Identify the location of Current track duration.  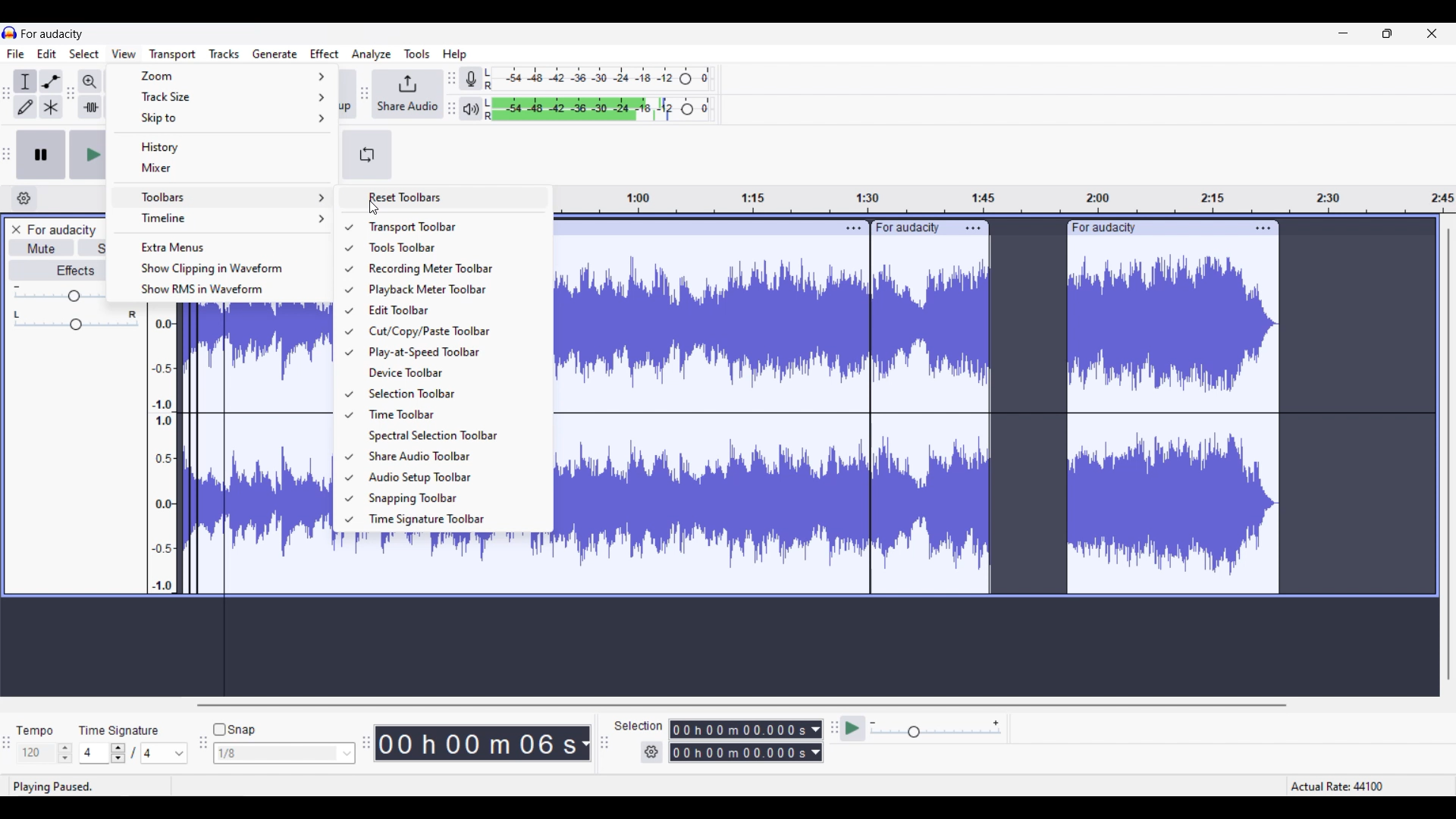
(477, 743).